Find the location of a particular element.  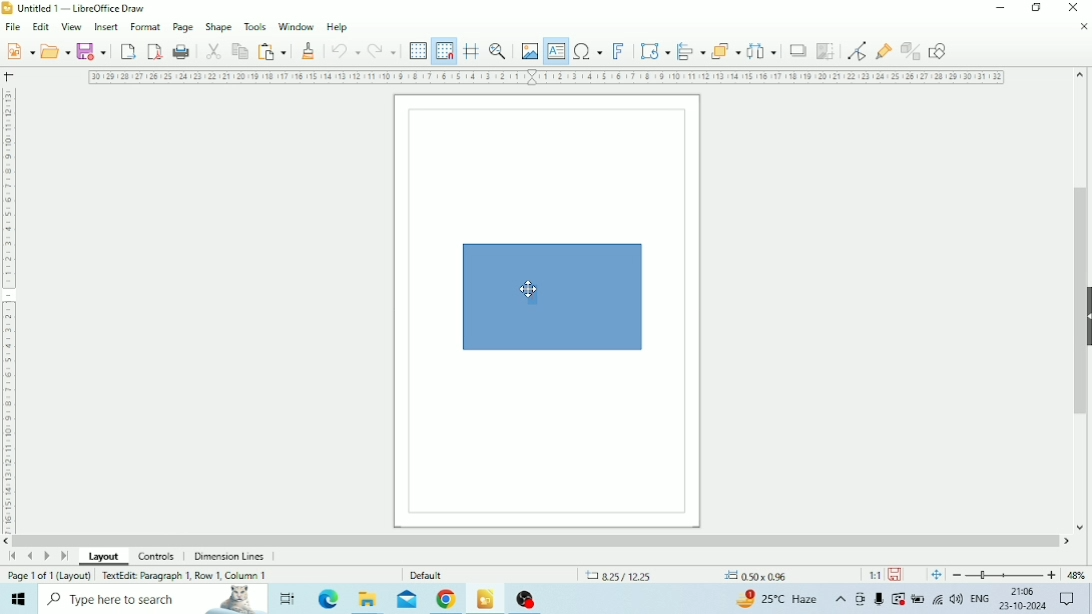

Speakers is located at coordinates (957, 599).